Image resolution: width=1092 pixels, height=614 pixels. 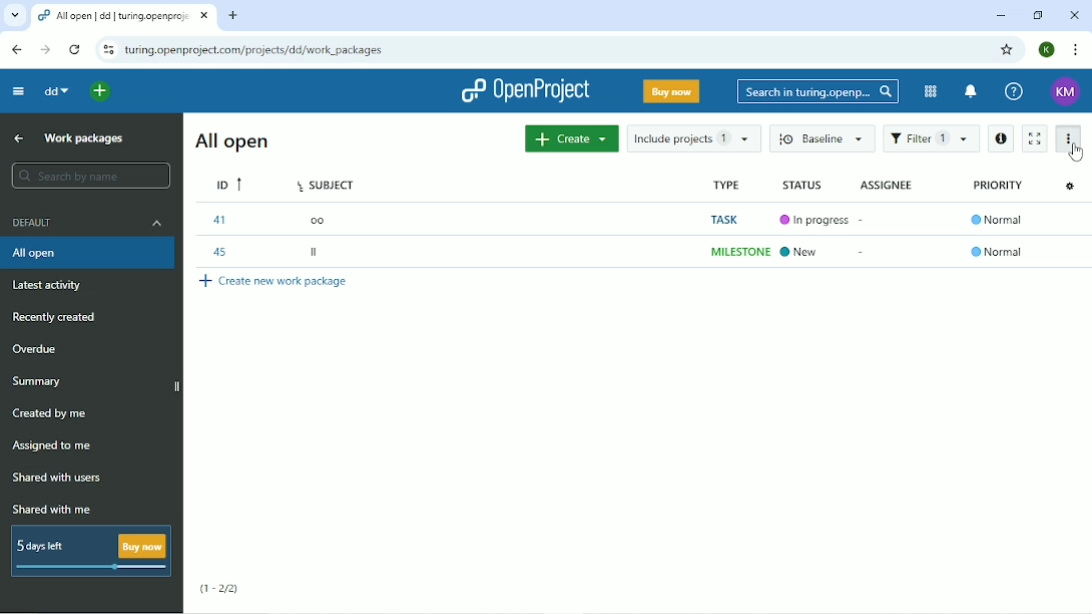 What do you see at coordinates (571, 139) in the screenshot?
I see `Create` at bounding box center [571, 139].